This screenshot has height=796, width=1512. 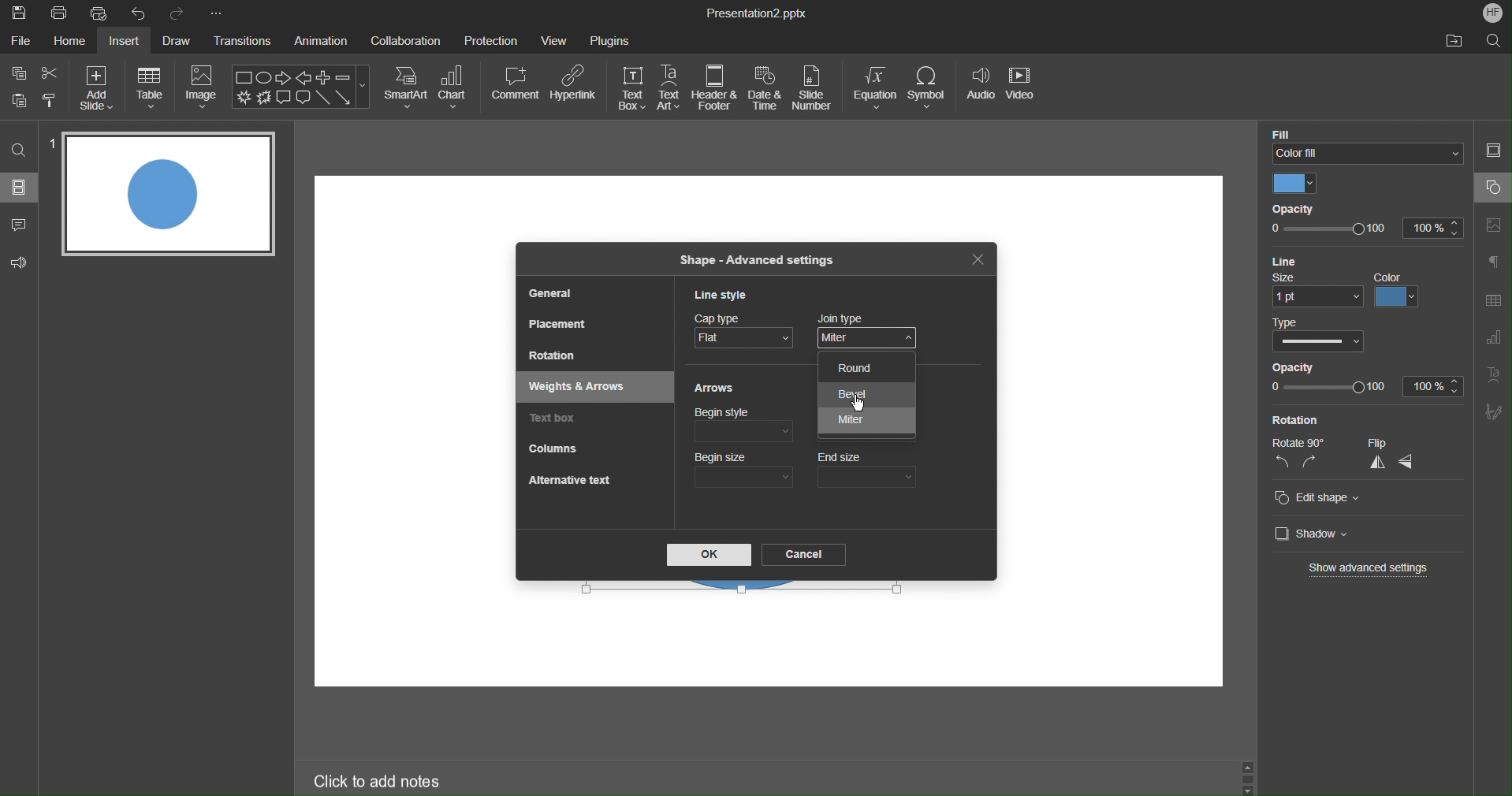 What do you see at coordinates (1310, 463) in the screenshot?
I see `right` at bounding box center [1310, 463].